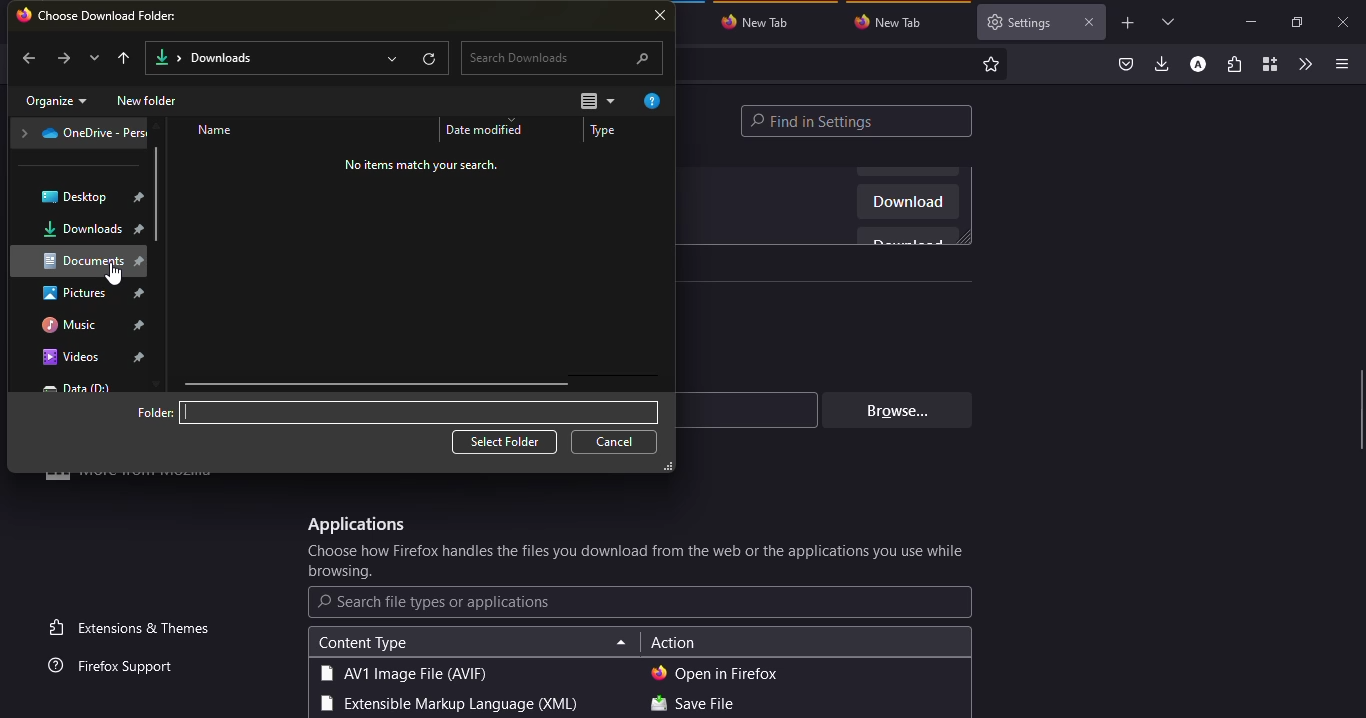  Describe the element at coordinates (77, 388) in the screenshot. I see `location` at that location.